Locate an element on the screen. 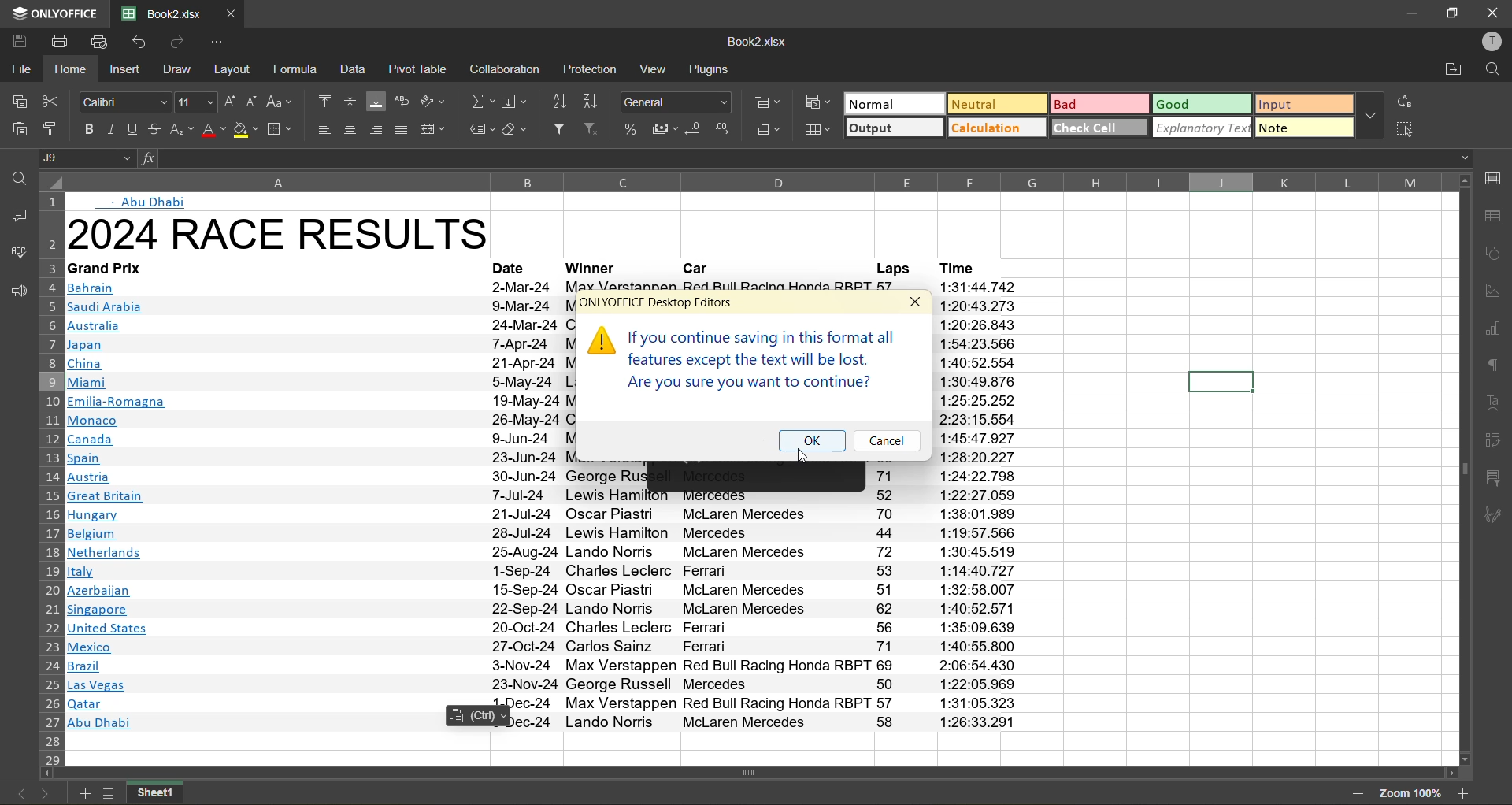 The image size is (1512, 805). ok is located at coordinates (813, 438).